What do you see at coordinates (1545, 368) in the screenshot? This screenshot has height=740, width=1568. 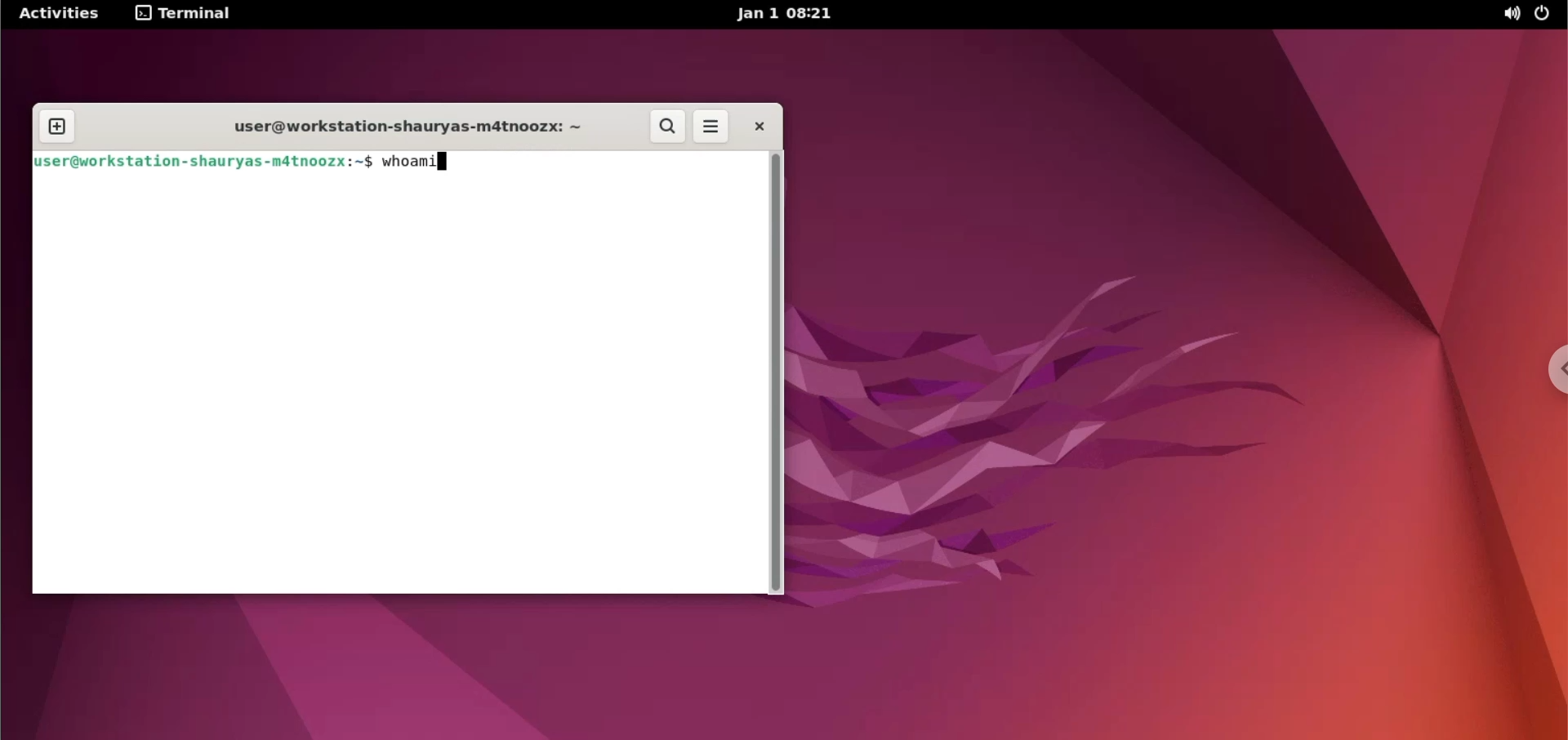 I see `chrome options` at bounding box center [1545, 368].